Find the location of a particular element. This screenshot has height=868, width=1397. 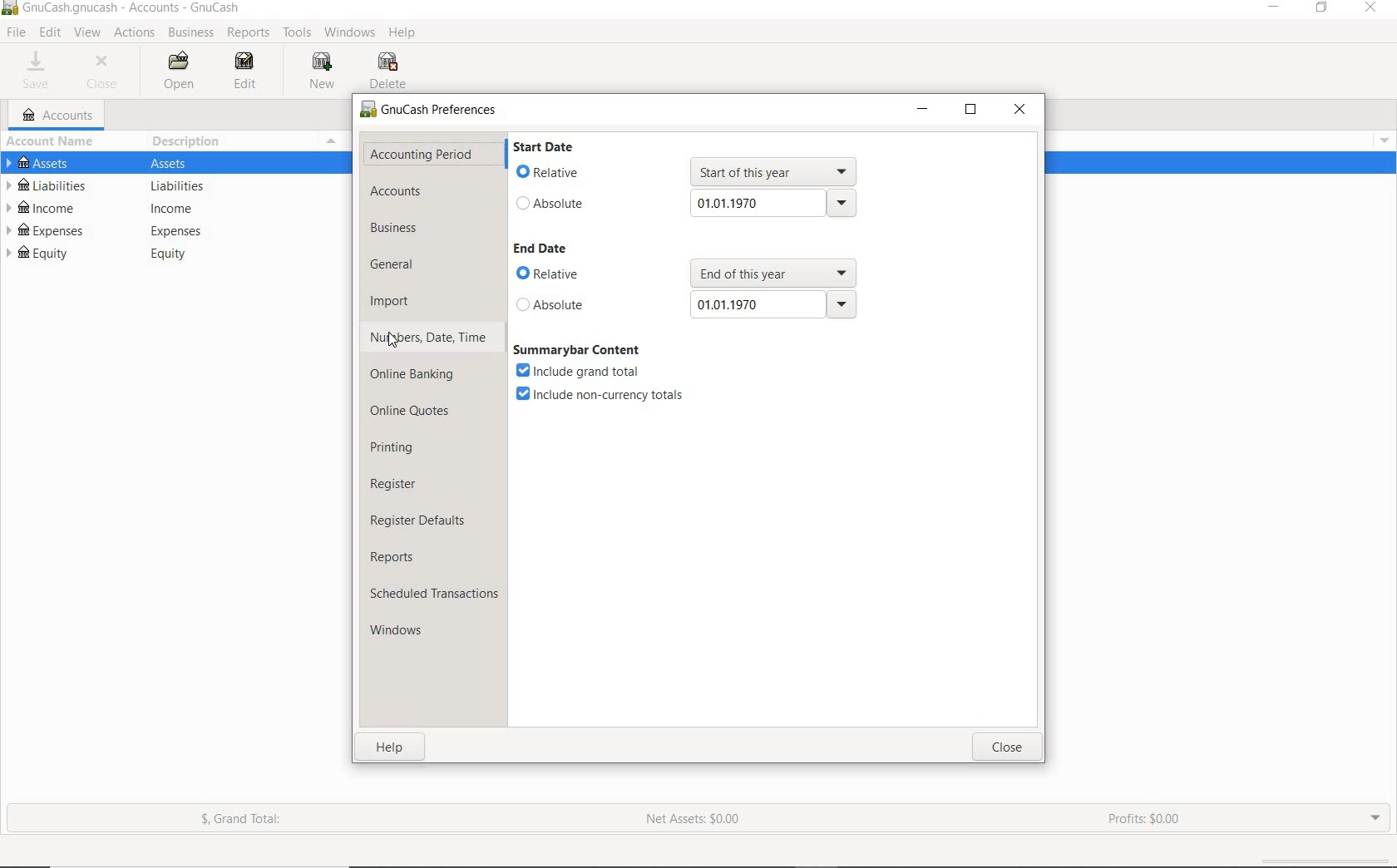

ESTORE DOWN is located at coordinates (971, 109).